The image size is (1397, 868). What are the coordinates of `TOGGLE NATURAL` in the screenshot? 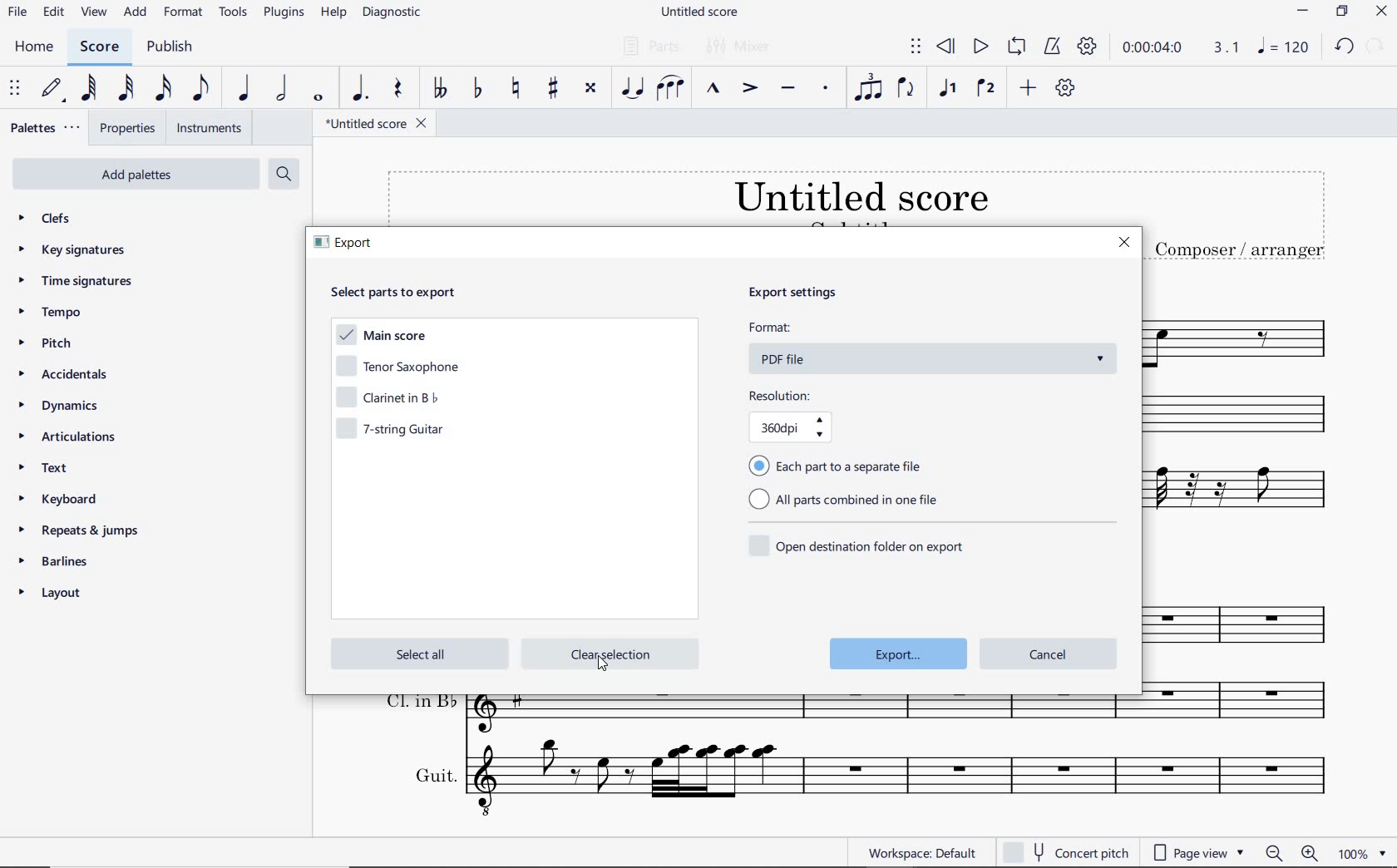 It's located at (515, 89).